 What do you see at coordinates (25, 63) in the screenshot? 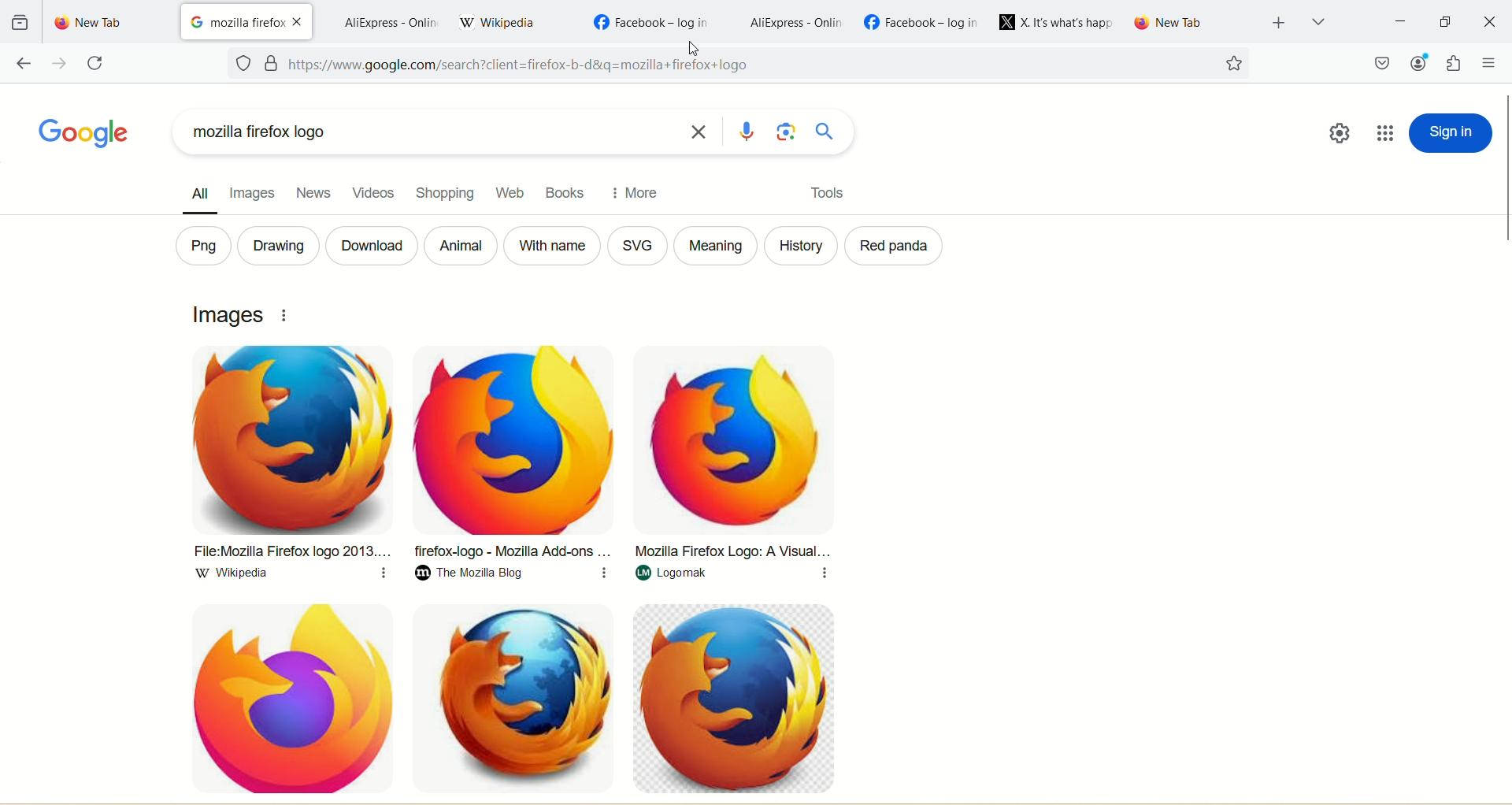
I see `go back one page` at bounding box center [25, 63].